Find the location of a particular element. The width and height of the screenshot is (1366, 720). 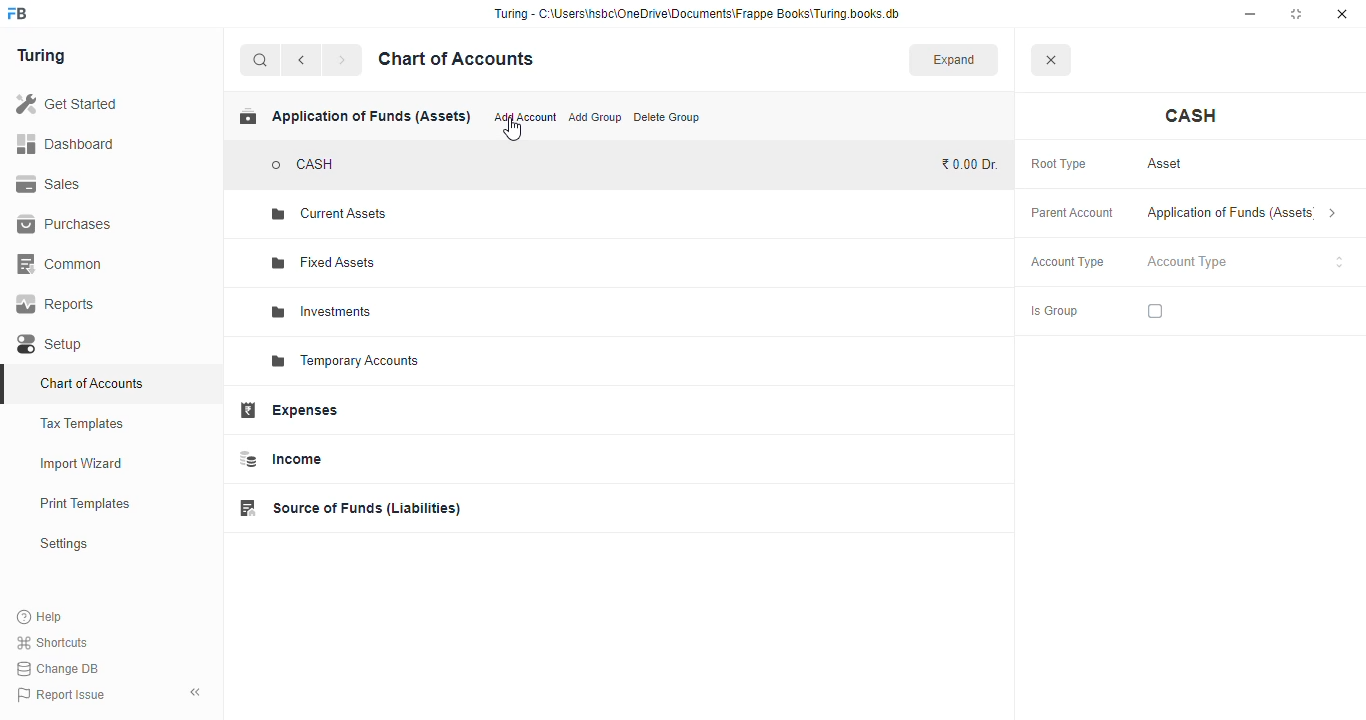

purchases is located at coordinates (67, 225).